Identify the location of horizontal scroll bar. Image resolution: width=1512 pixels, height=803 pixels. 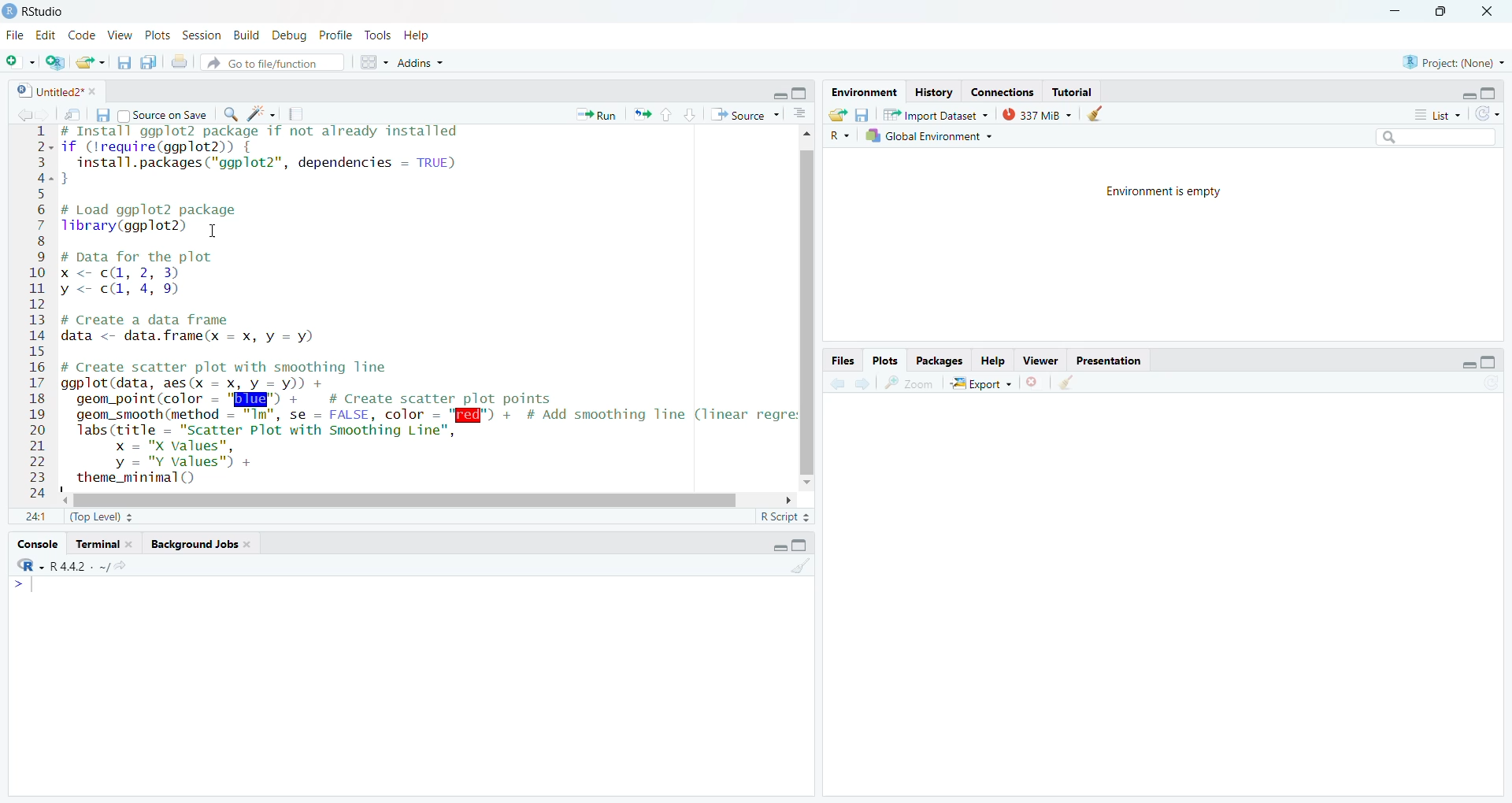
(404, 499).